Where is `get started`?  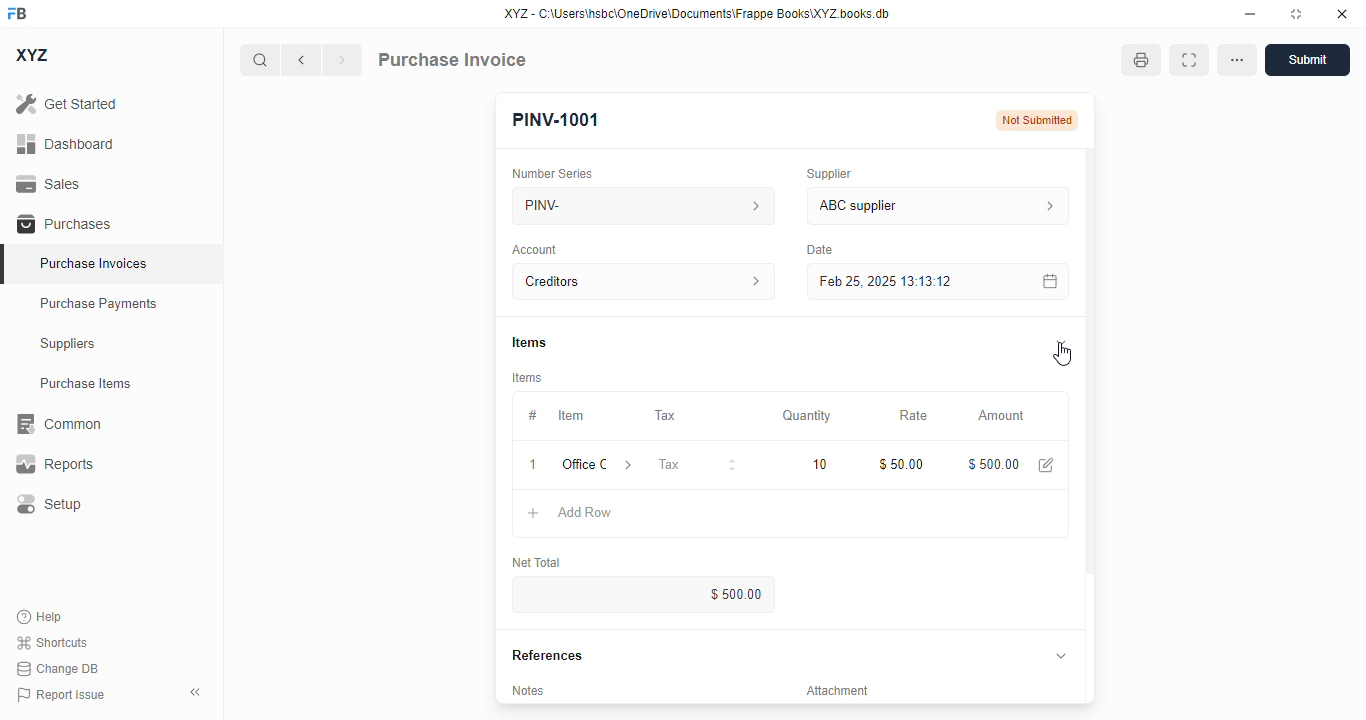 get started is located at coordinates (68, 103).